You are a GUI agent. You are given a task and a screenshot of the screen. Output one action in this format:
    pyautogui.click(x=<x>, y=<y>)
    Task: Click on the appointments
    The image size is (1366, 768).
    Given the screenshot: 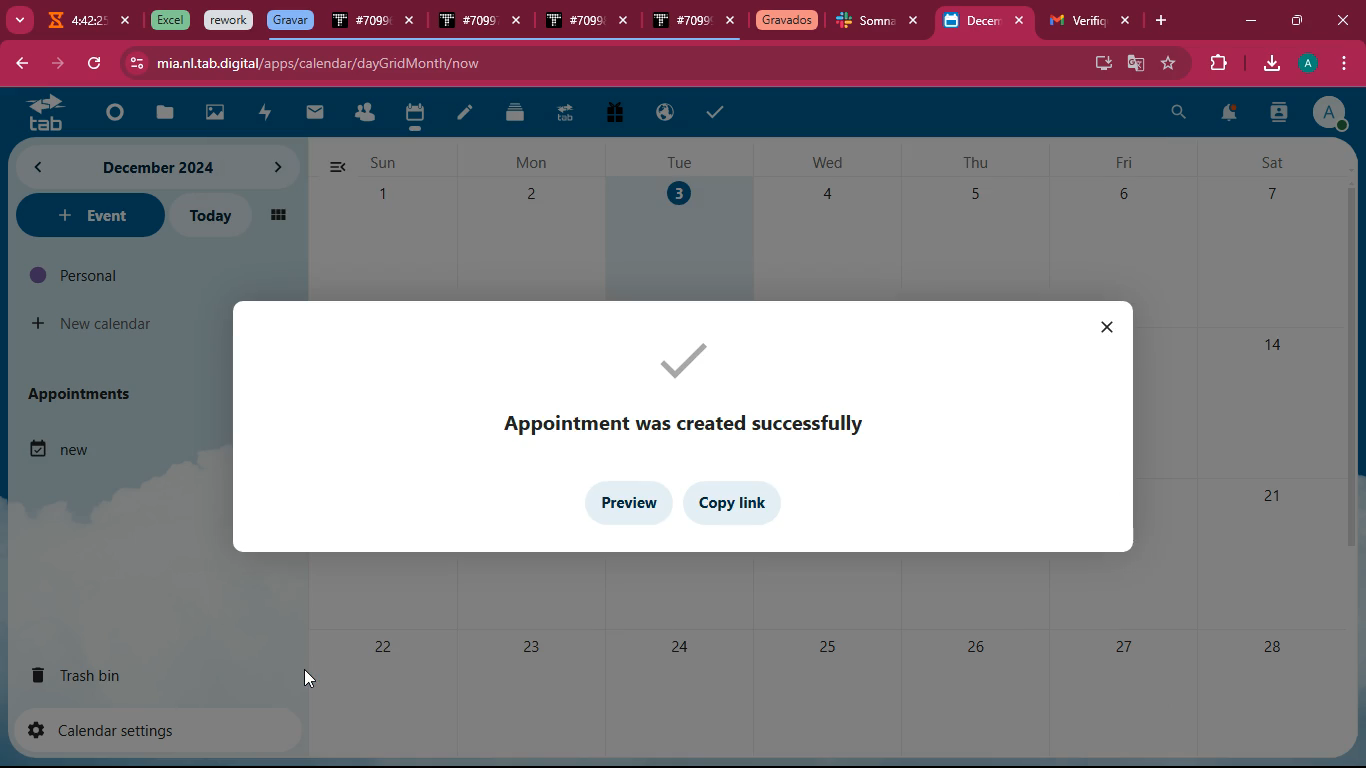 What is the action you would take?
    pyautogui.click(x=86, y=393)
    